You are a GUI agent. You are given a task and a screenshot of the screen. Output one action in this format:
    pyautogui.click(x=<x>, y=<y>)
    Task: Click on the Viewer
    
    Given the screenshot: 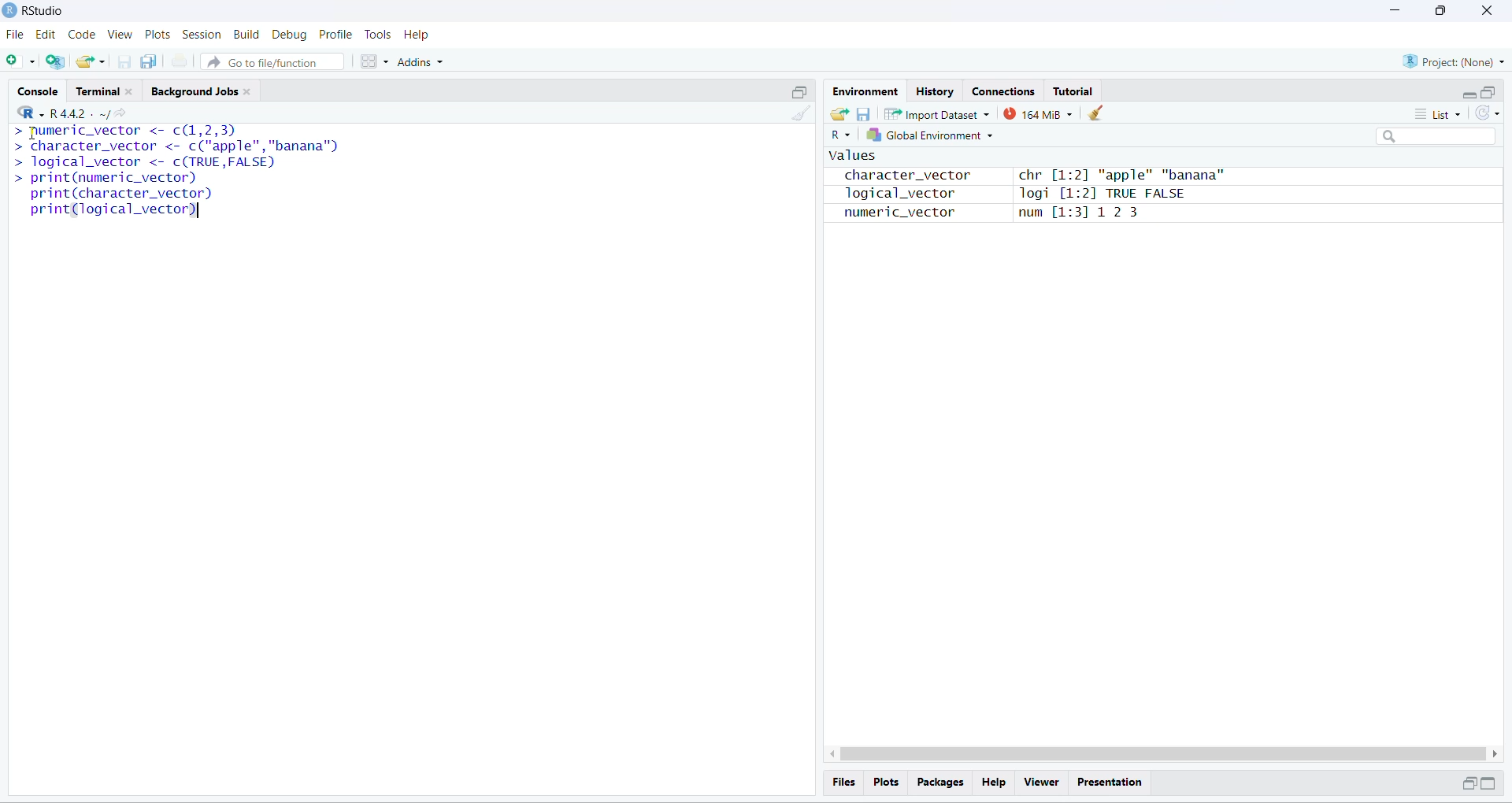 What is the action you would take?
    pyautogui.click(x=1042, y=783)
    